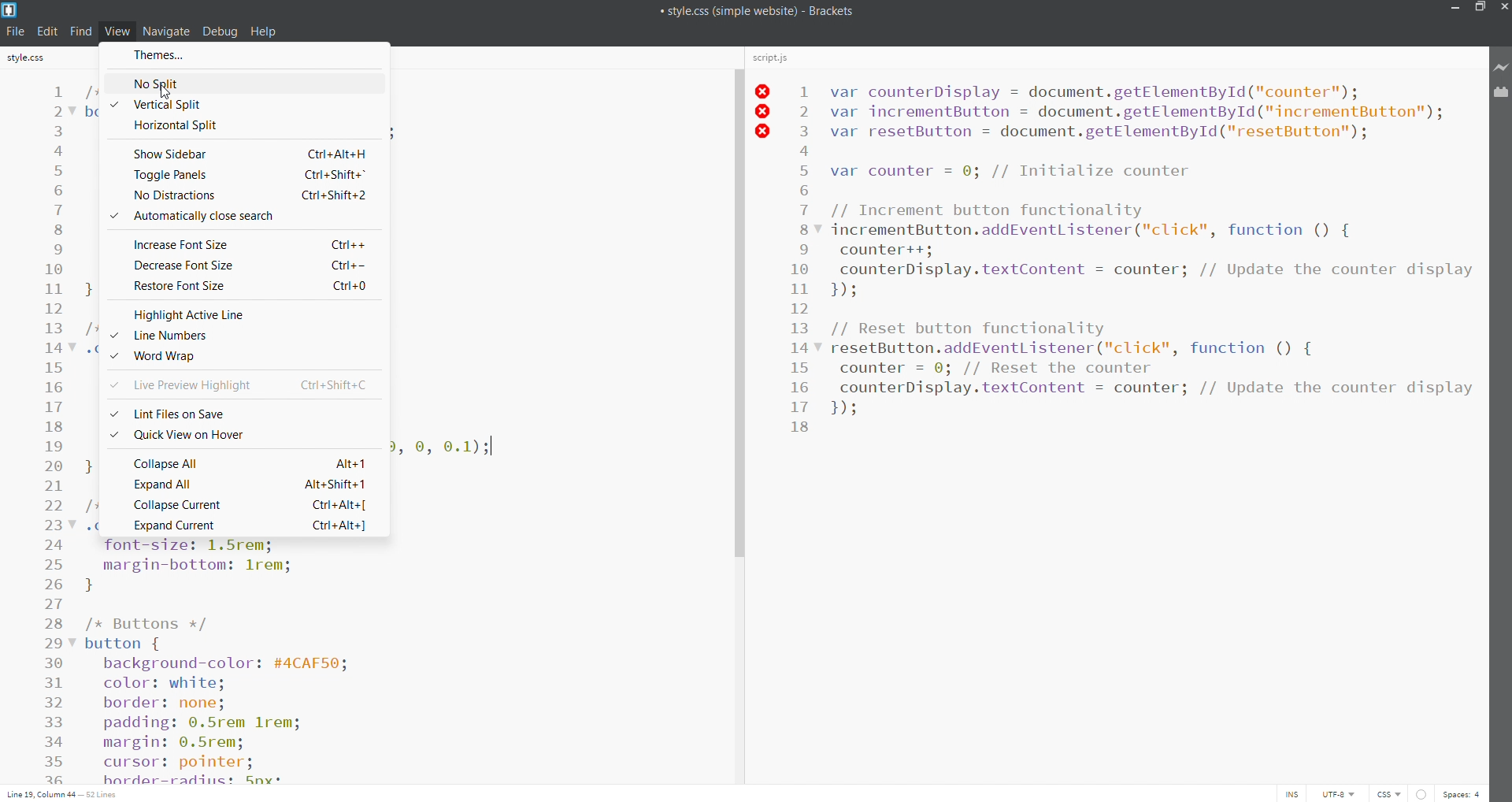 The width and height of the screenshot is (1512, 802). I want to click on expand current, so click(239, 526).